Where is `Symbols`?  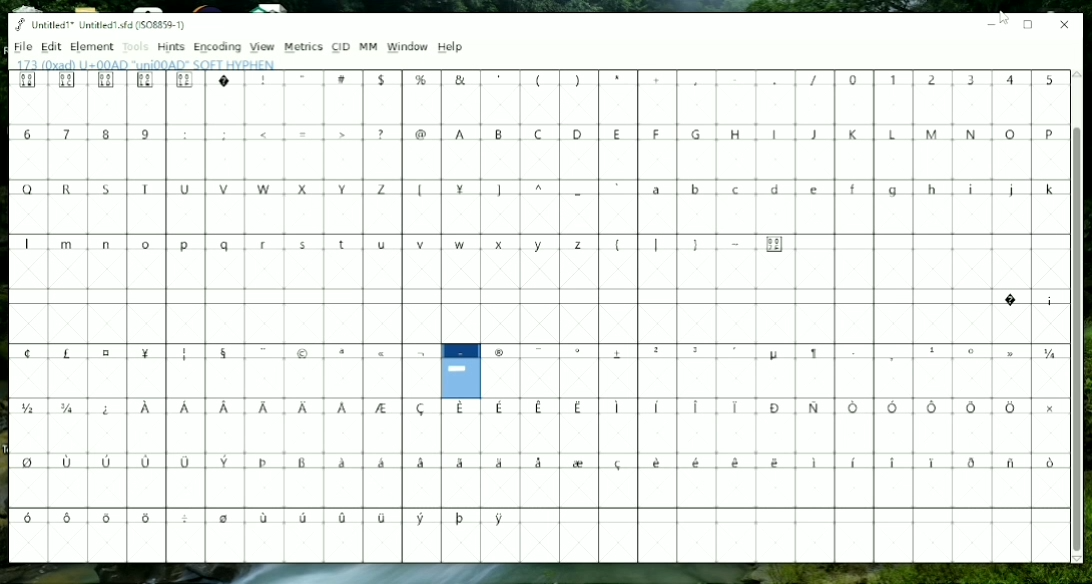 Symbols is located at coordinates (541, 411).